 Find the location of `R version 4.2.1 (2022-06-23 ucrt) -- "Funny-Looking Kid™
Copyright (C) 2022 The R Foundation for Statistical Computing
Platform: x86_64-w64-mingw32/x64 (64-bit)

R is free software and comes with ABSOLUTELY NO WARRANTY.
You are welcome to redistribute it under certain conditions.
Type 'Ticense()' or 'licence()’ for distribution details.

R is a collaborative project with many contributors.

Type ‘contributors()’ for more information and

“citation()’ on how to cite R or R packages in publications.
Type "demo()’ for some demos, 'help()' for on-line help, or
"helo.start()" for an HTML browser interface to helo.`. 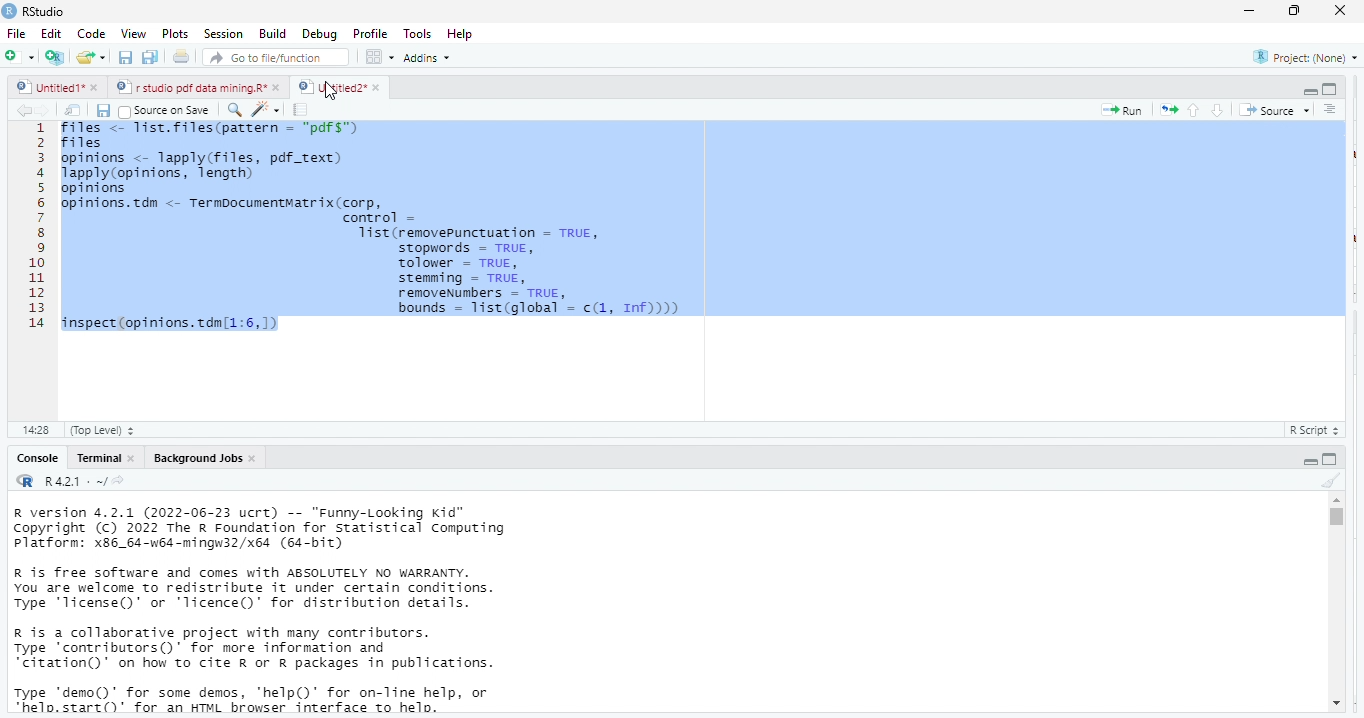

R version 4.2.1 (2022-06-23 ucrt) -- "Funny-Looking Kid™
Copyright (C) 2022 The R Foundation for Statistical Computing
Platform: x86_64-w64-mingw32/x64 (64-bit)

R is free software and comes with ABSOLUTELY NO WARRANTY.
You are welcome to redistribute it under certain conditions.
Type 'Ticense()' or 'licence()’ for distribution details.

R is a collaborative project with many contributors.

Type ‘contributors()’ for more information and

“citation()’ on how to cite R or R packages in publications.
Type "demo()’ for some demos, 'help()' for on-line help, or
"helo.start()" for an HTML browser interface to helo. is located at coordinates (291, 611).